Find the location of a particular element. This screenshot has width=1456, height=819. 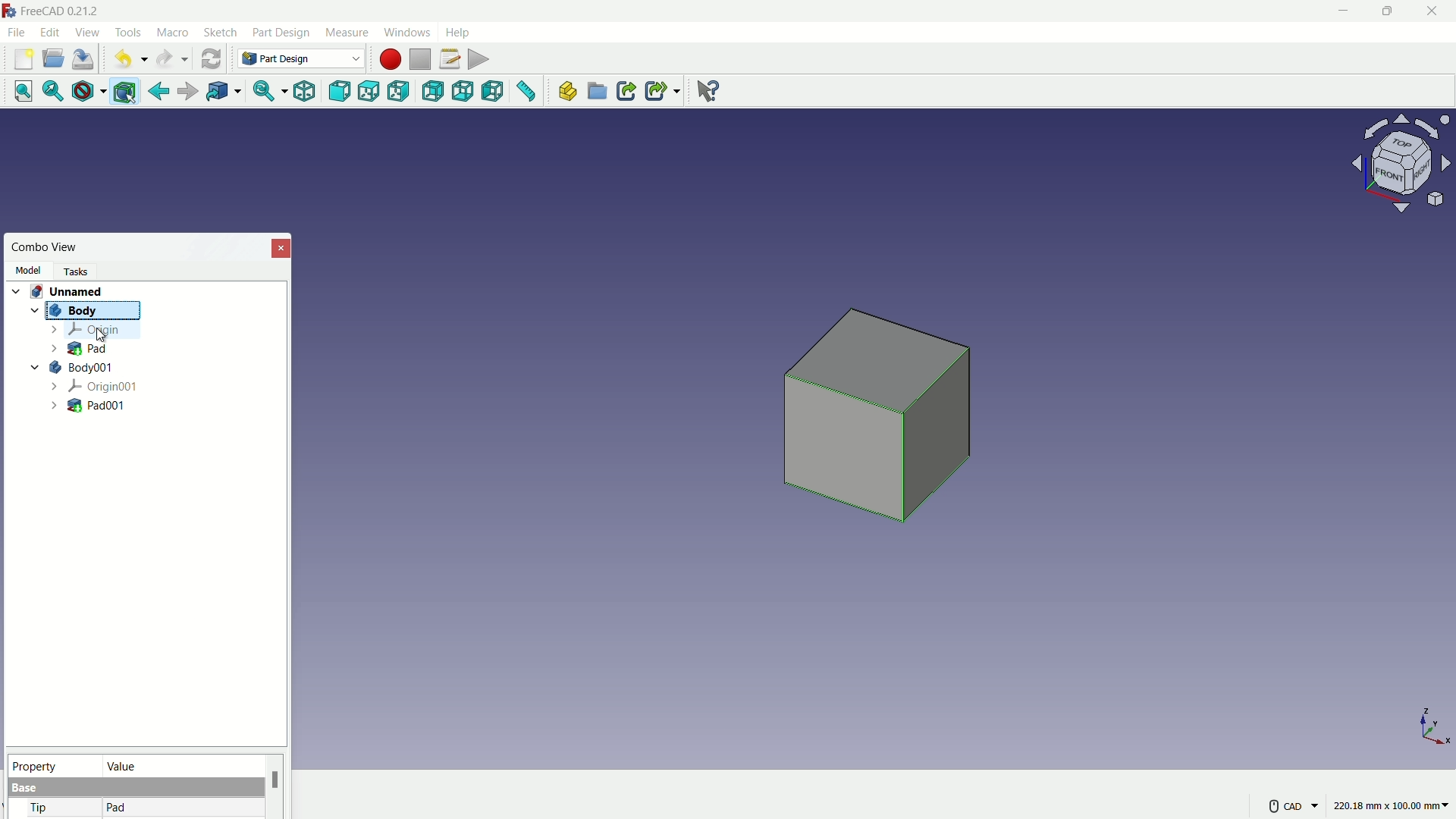

Origin is located at coordinates (84, 330).